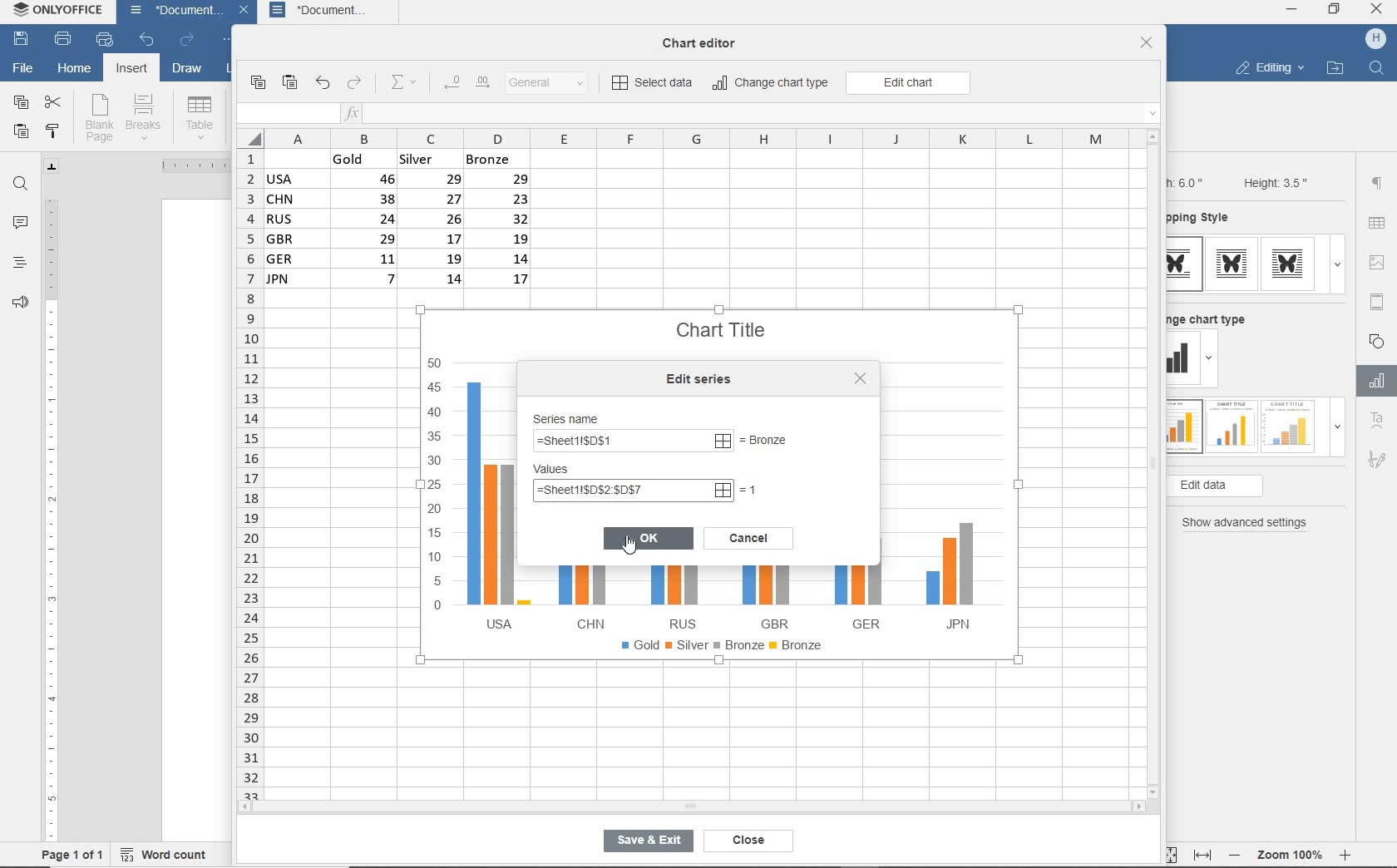 The width and height of the screenshot is (1397, 868). I want to click on chart editor, so click(705, 38).